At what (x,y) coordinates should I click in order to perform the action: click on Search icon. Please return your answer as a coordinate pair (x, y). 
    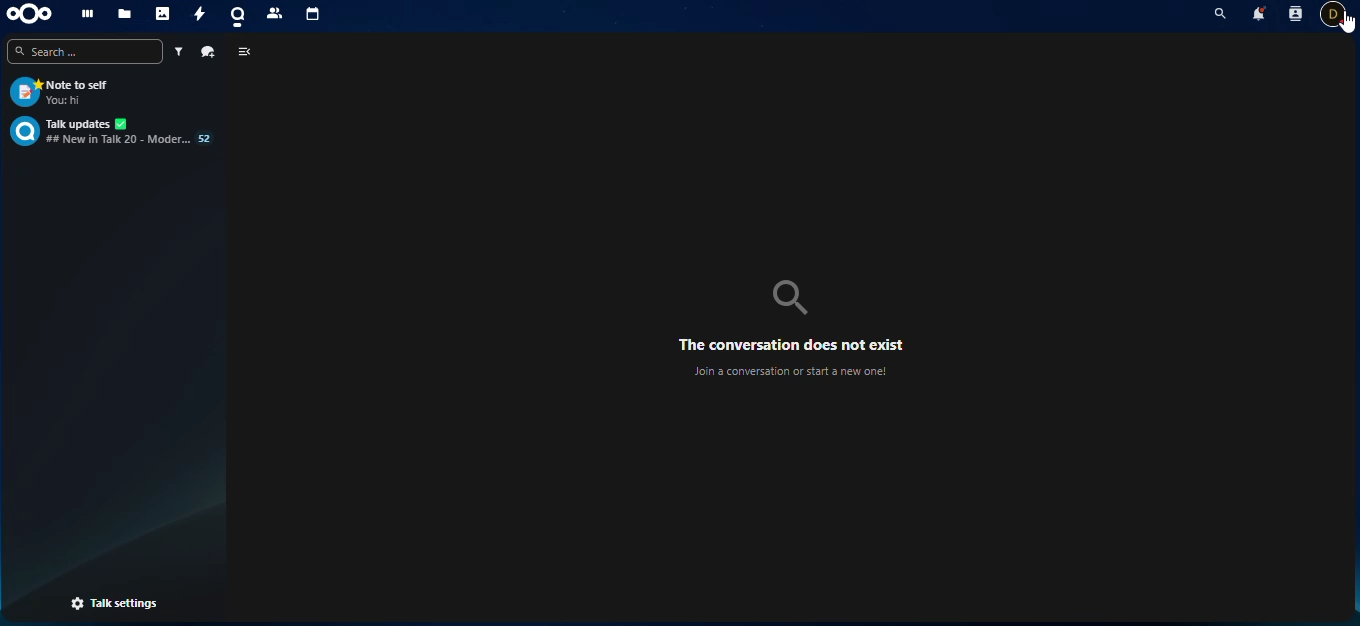
    Looking at the image, I should click on (790, 298).